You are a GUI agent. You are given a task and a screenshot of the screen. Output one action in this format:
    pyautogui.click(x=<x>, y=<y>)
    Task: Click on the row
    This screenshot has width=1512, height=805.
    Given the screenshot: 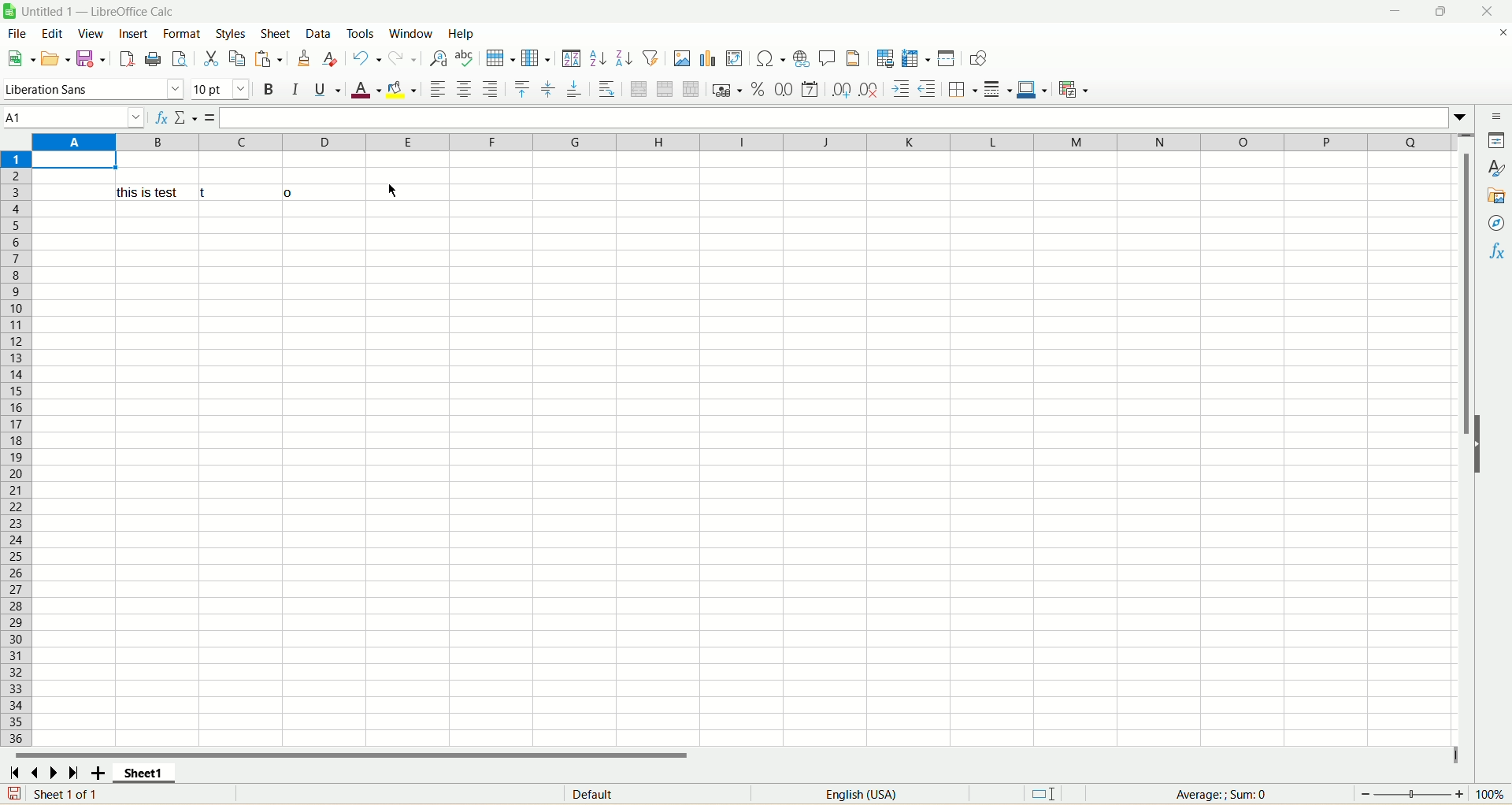 What is the action you would take?
    pyautogui.click(x=502, y=57)
    